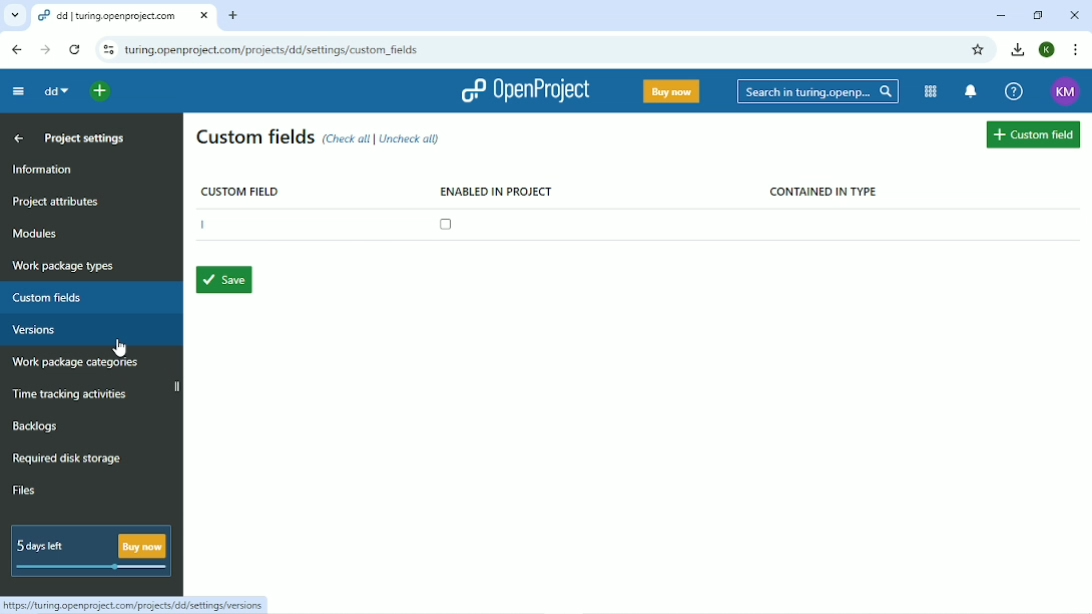 This screenshot has height=614, width=1092. What do you see at coordinates (1078, 50) in the screenshot?
I see `Customize and control google chrome` at bounding box center [1078, 50].